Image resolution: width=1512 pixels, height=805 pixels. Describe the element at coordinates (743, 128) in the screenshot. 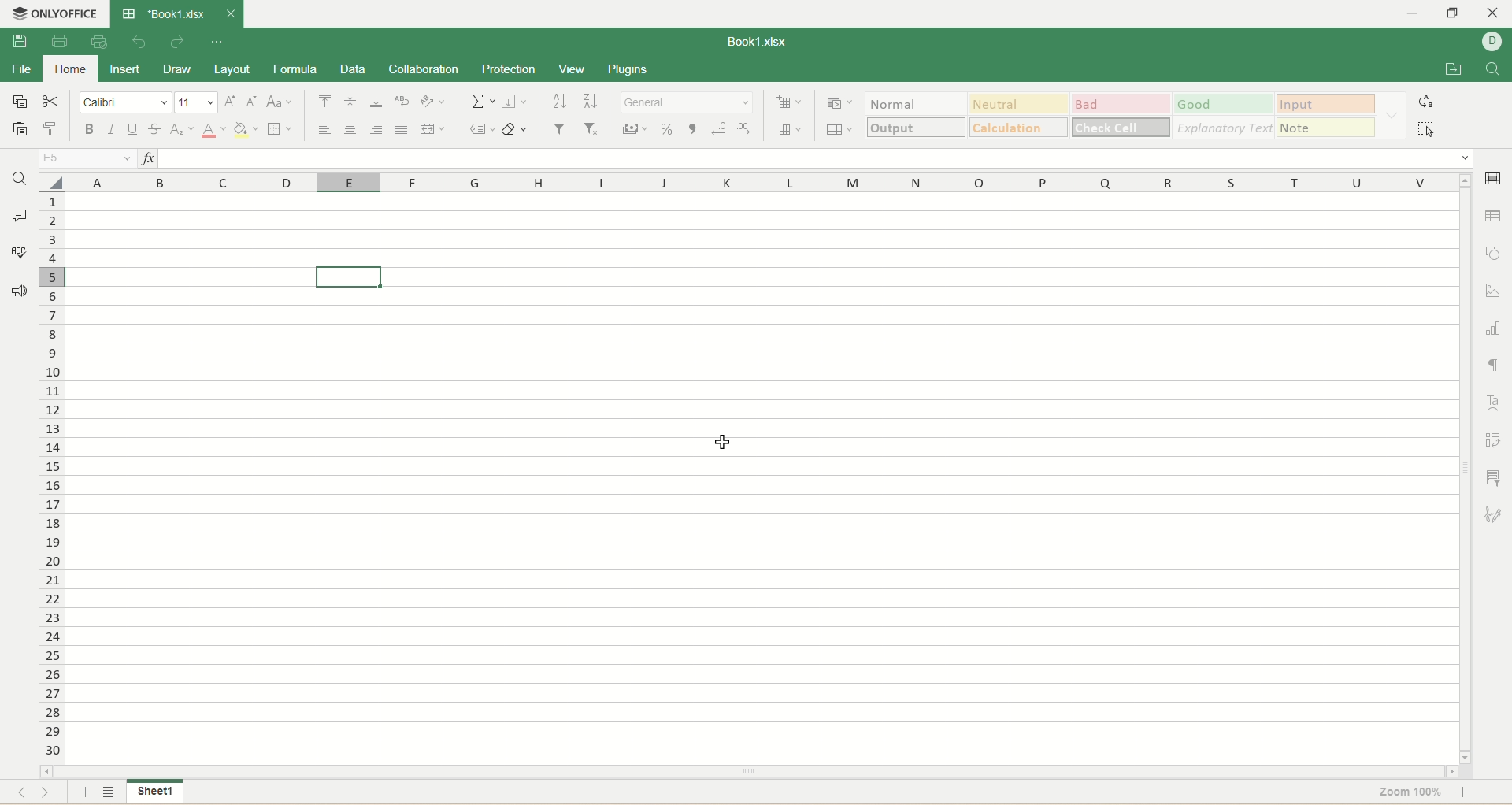

I see `increase decimal` at that location.